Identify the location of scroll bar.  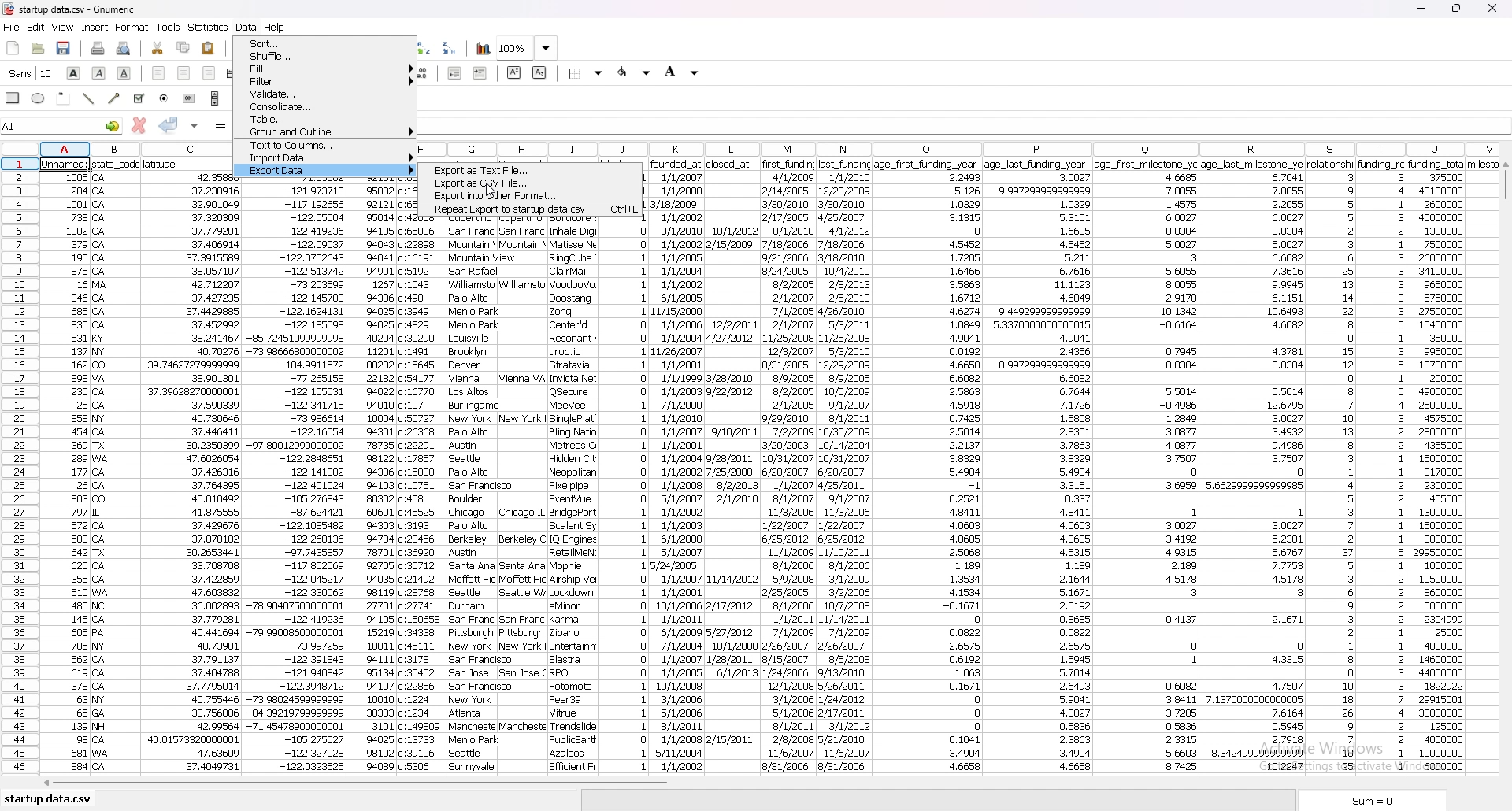
(1504, 472).